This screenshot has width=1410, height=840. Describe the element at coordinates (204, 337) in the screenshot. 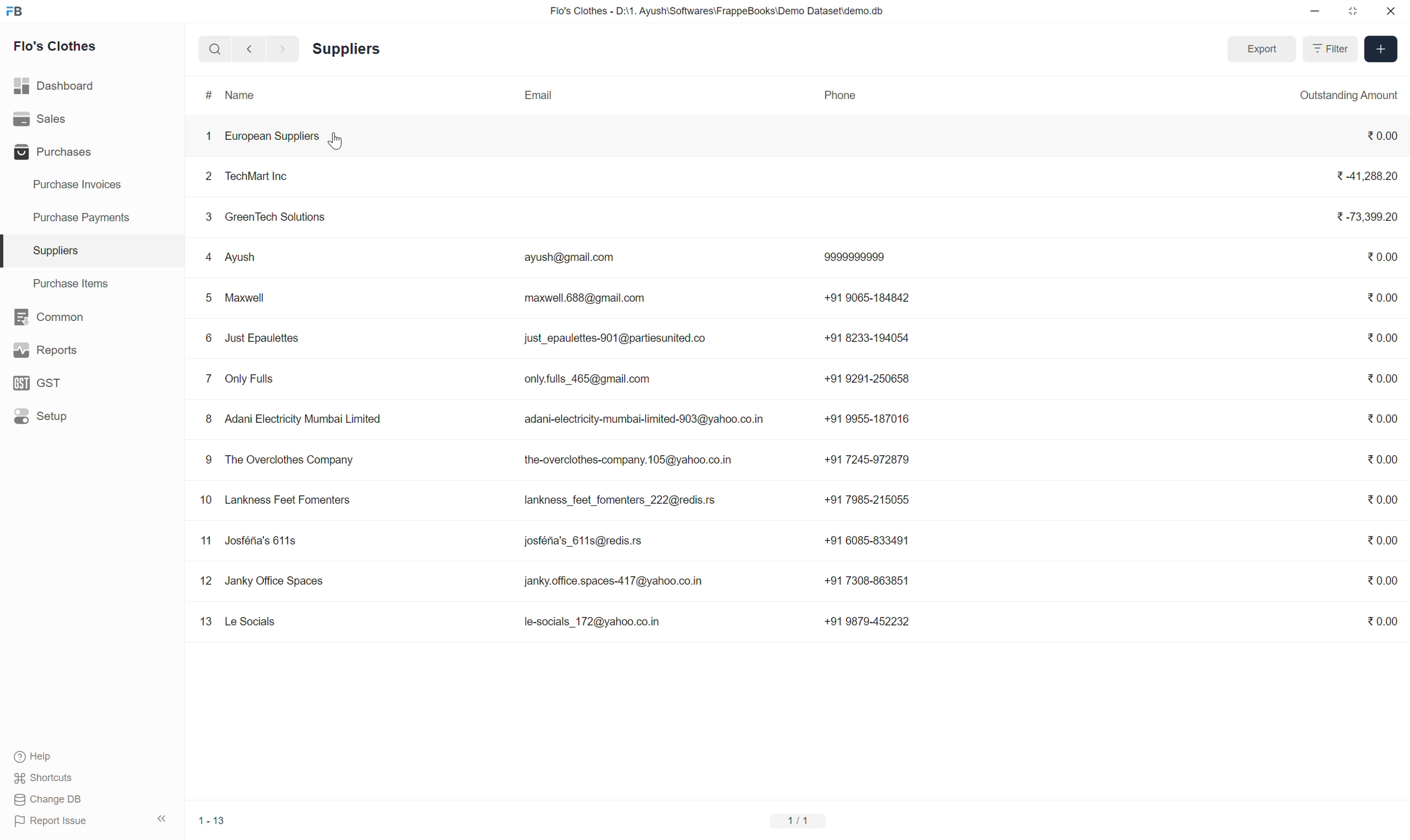

I see `6` at that location.